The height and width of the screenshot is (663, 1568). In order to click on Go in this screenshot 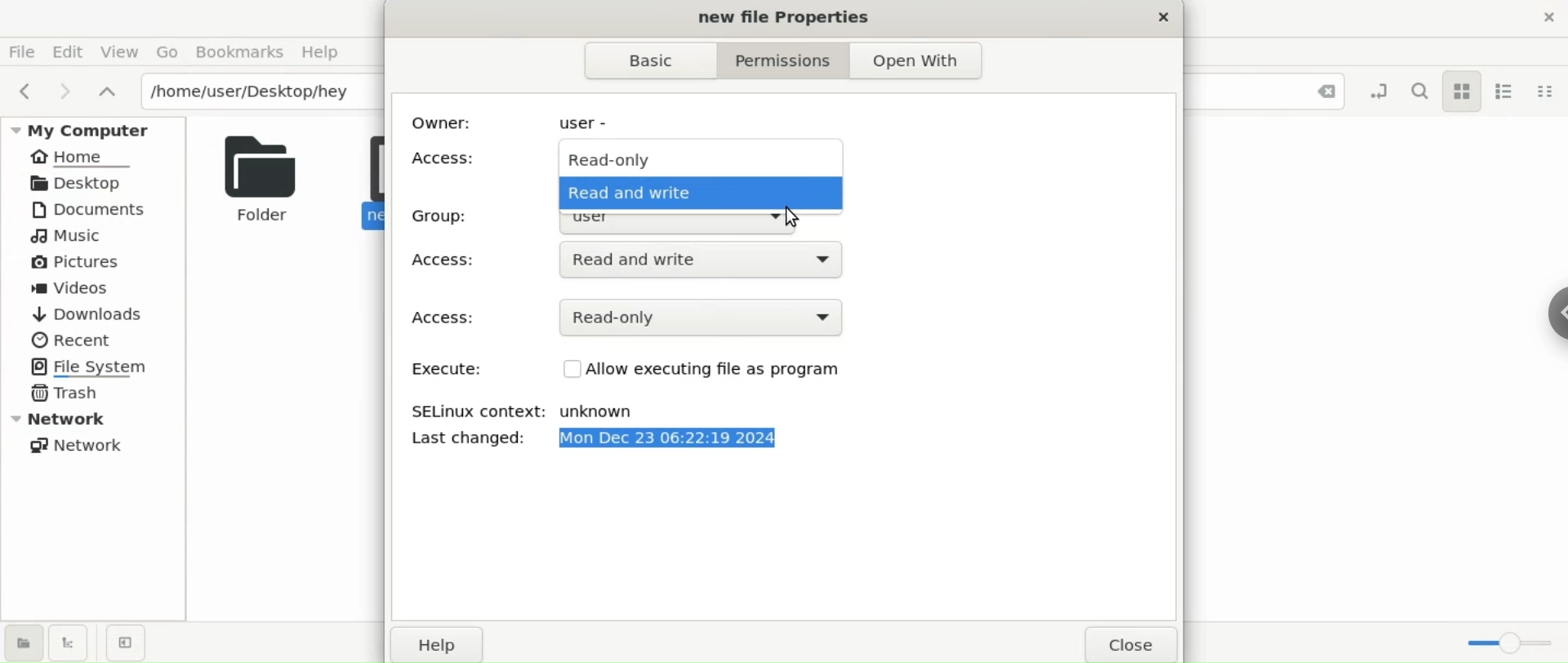, I will do `click(167, 51)`.